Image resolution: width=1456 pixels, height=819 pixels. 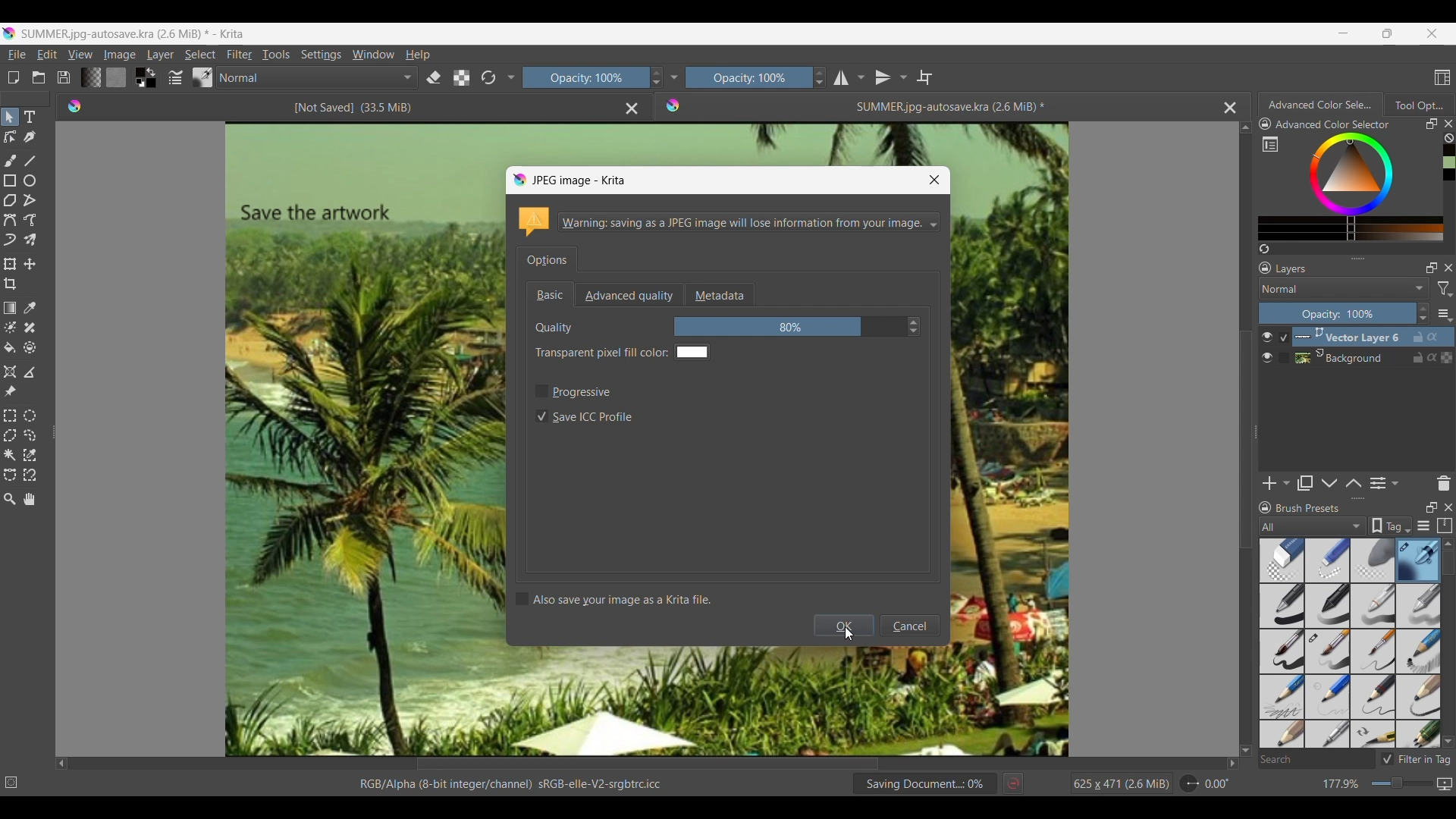 I want to click on Freehand selection tool, so click(x=30, y=435).